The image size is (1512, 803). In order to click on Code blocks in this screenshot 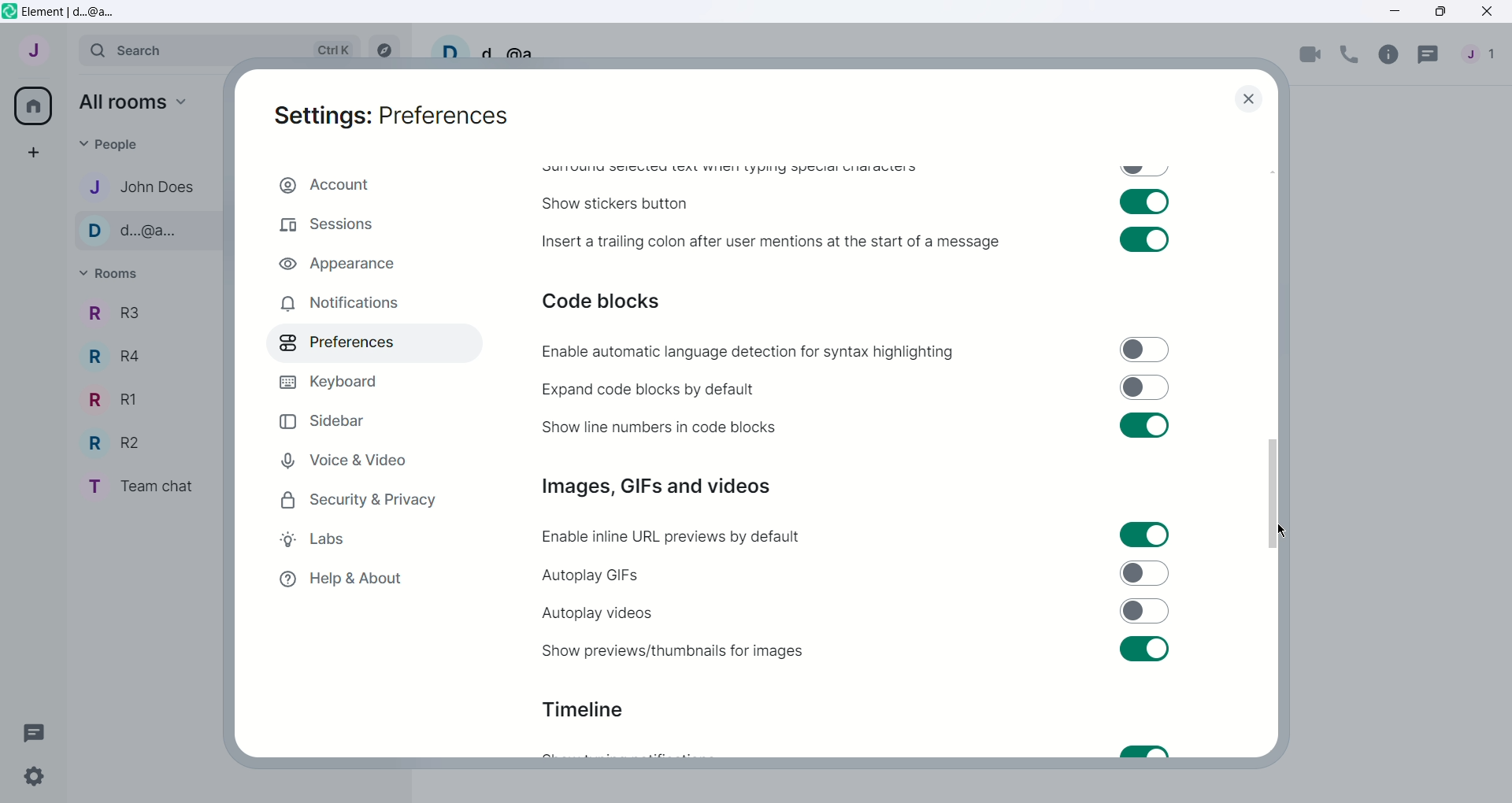, I will do `click(602, 300)`.